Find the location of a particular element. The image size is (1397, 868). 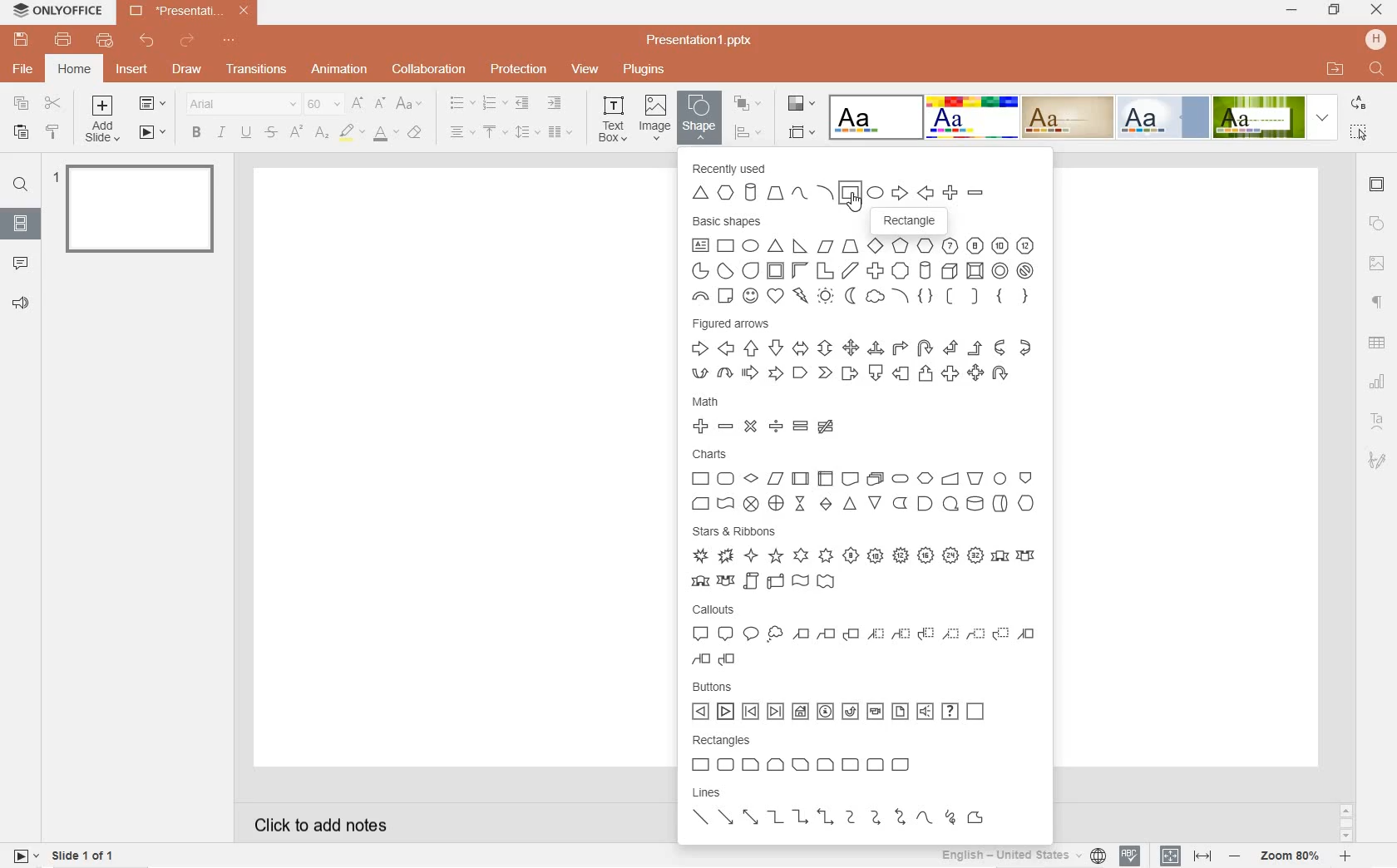

Ellipse  is located at coordinates (876, 193).